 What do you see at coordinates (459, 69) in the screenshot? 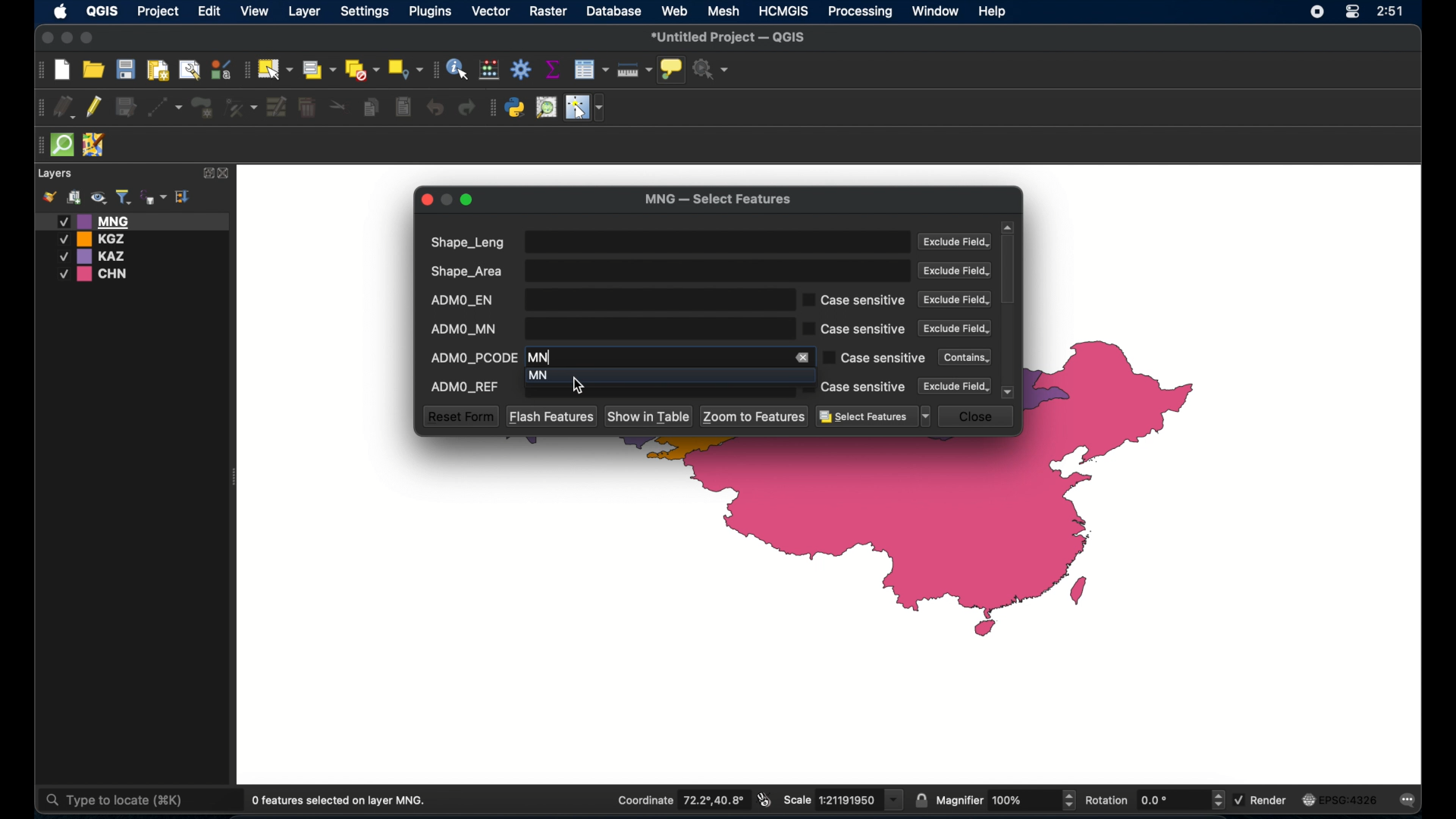
I see `identify feature` at bounding box center [459, 69].